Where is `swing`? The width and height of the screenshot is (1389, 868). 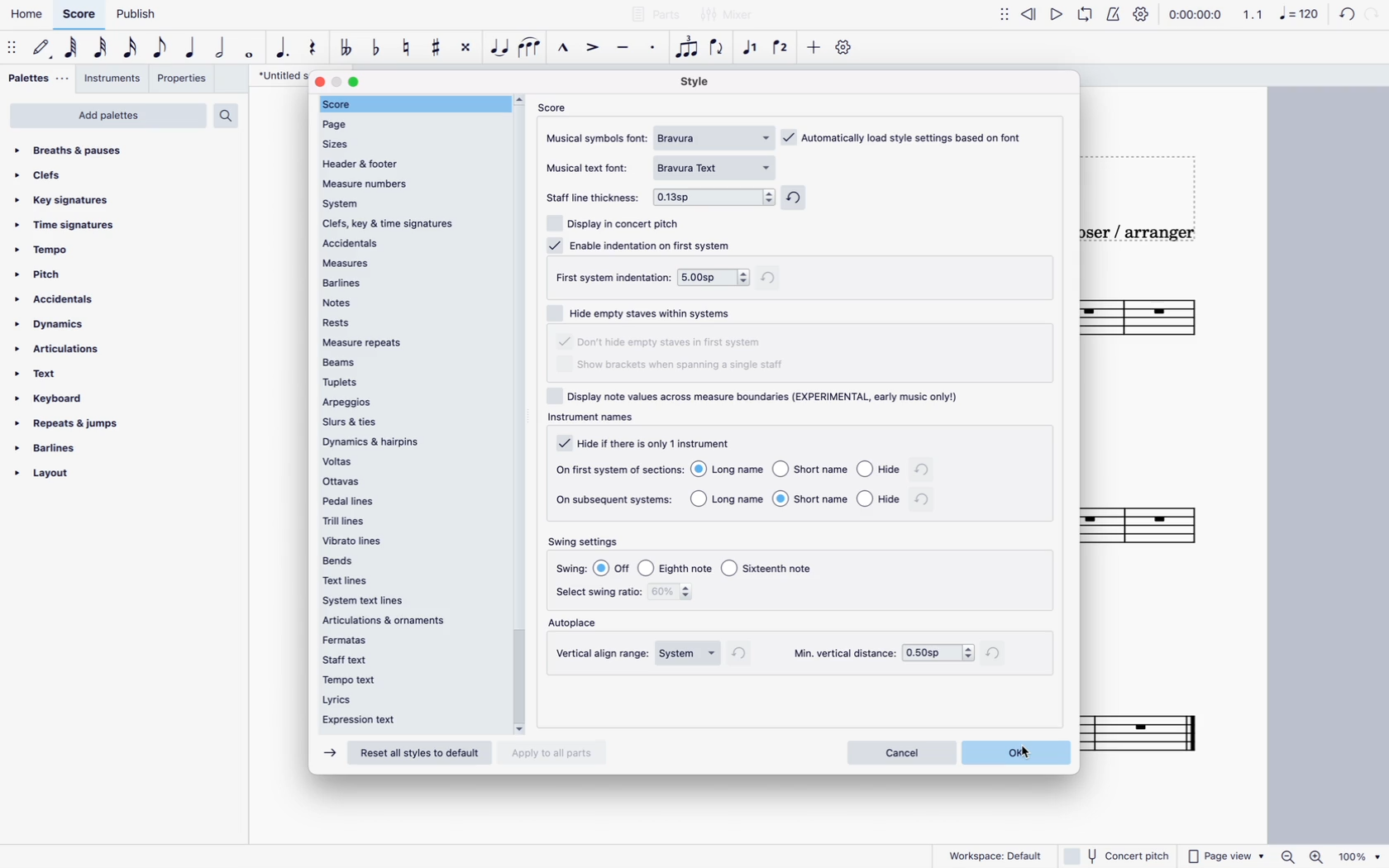 swing is located at coordinates (573, 569).